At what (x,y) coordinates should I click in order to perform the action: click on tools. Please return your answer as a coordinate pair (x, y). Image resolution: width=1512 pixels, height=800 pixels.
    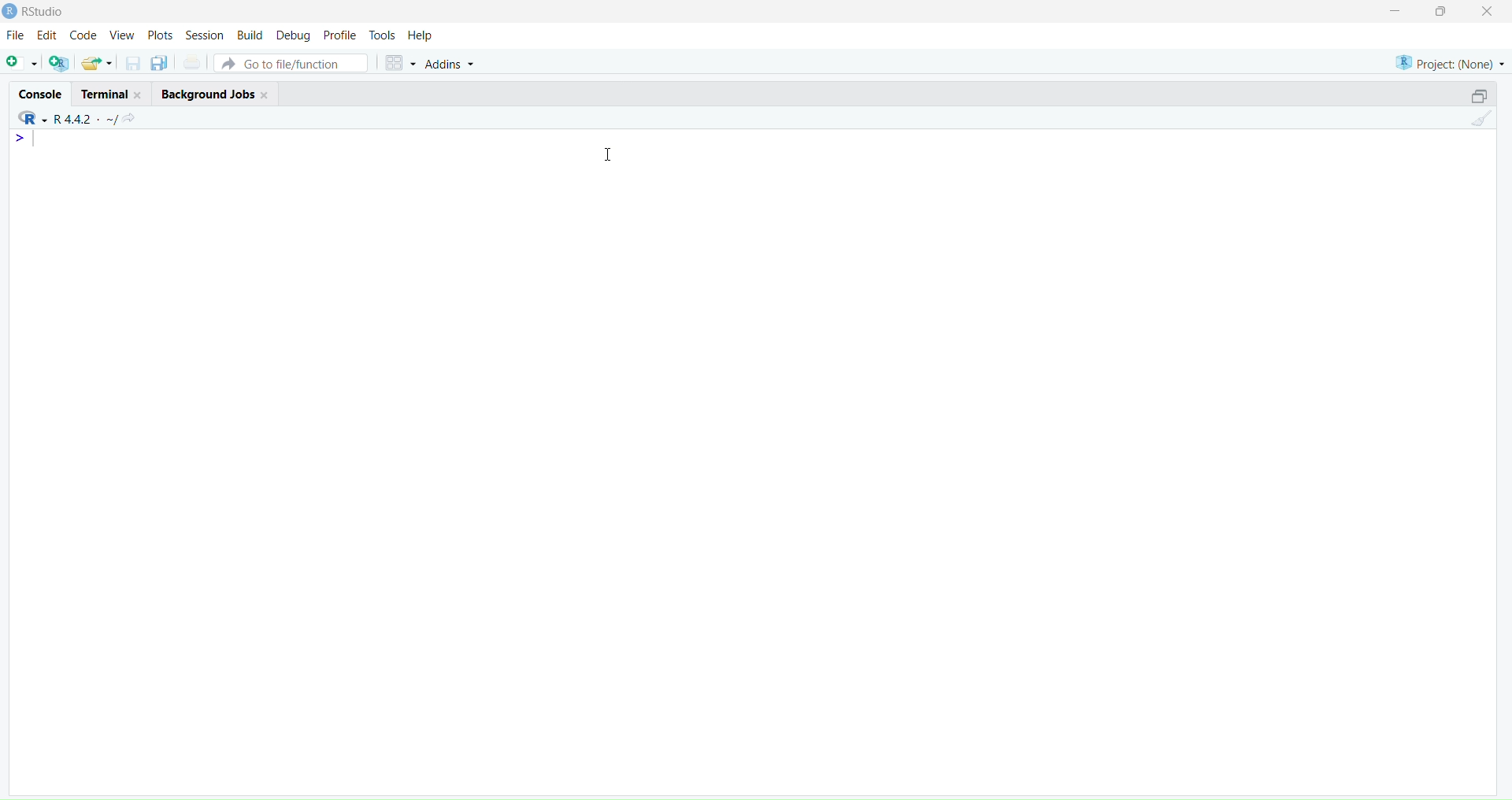
    Looking at the image, I should click on (382, 35).